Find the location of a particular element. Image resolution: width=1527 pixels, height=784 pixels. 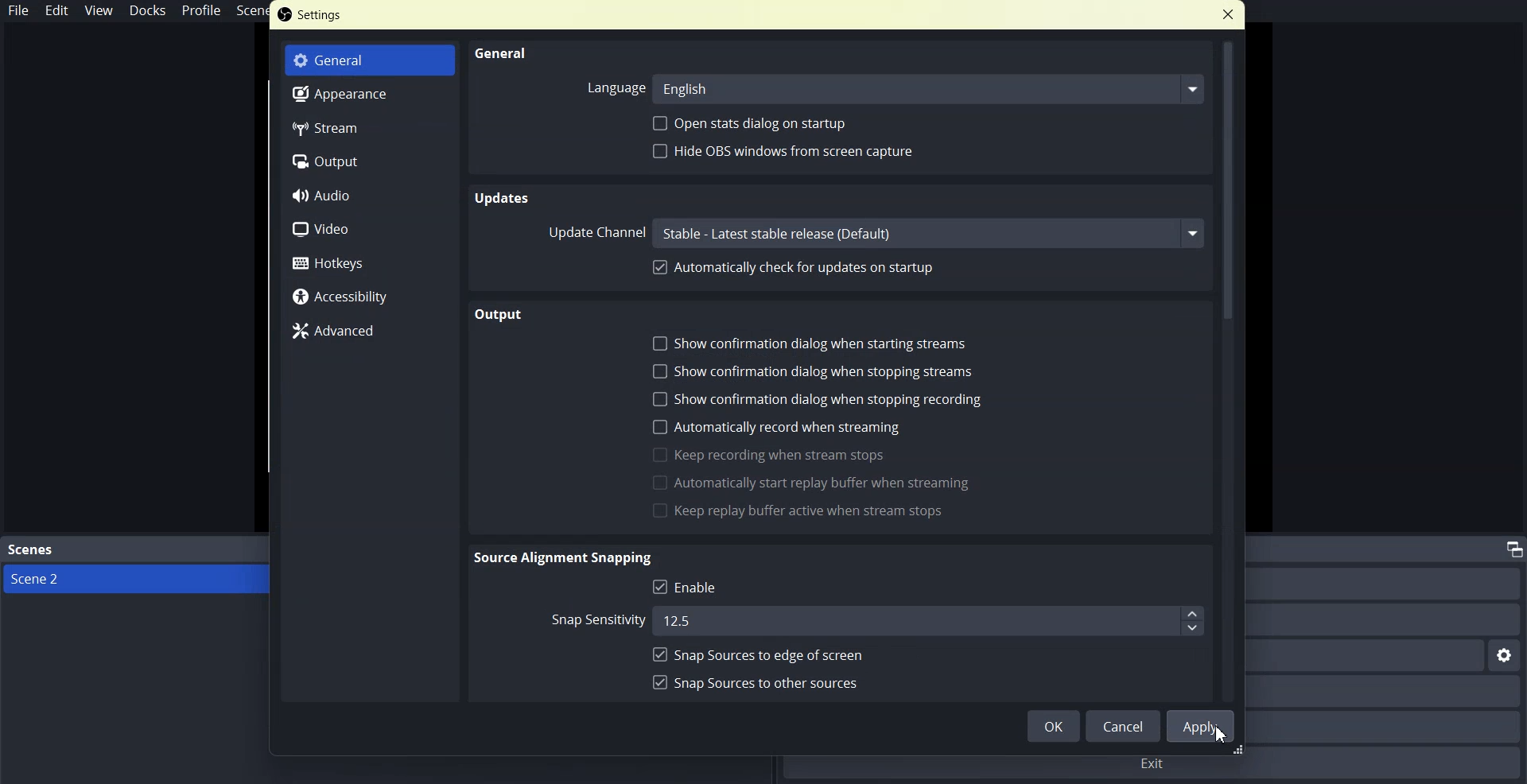

Profile is located at coordinates (201, 11).